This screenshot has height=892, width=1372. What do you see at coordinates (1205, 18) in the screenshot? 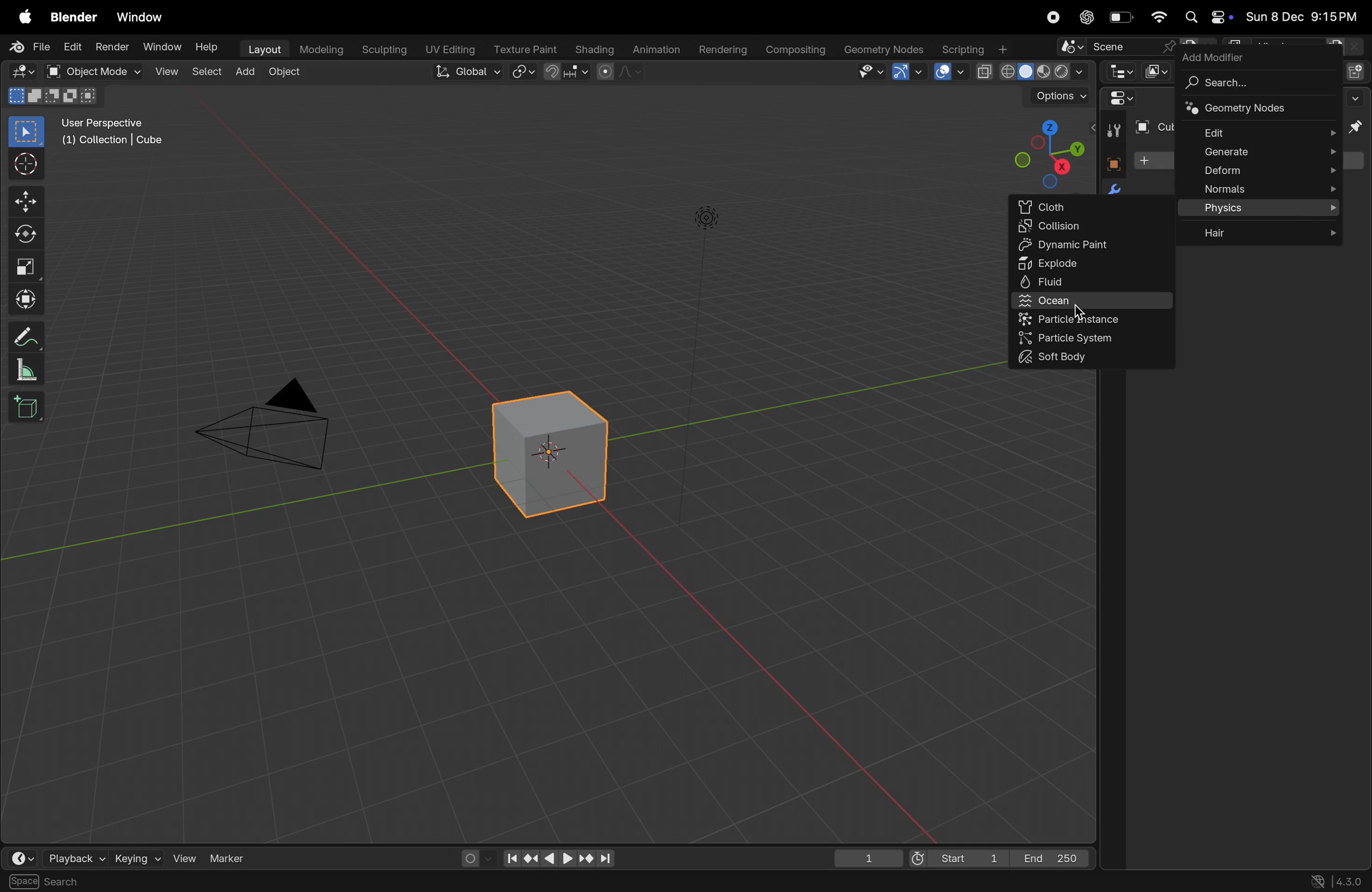
I see `apple widgets` at bounding box center [1205, 18].